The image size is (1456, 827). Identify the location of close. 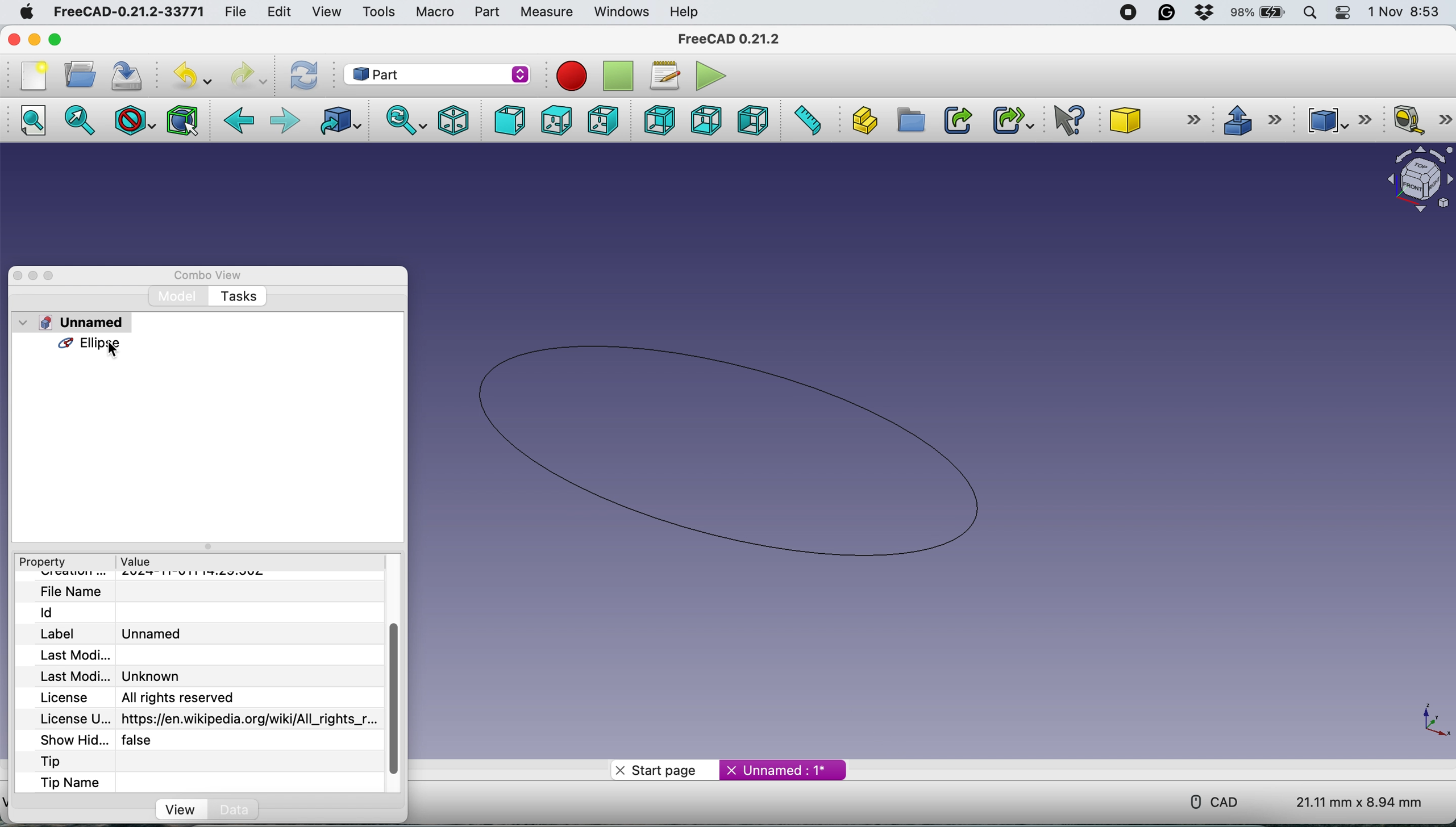
(18, 275).